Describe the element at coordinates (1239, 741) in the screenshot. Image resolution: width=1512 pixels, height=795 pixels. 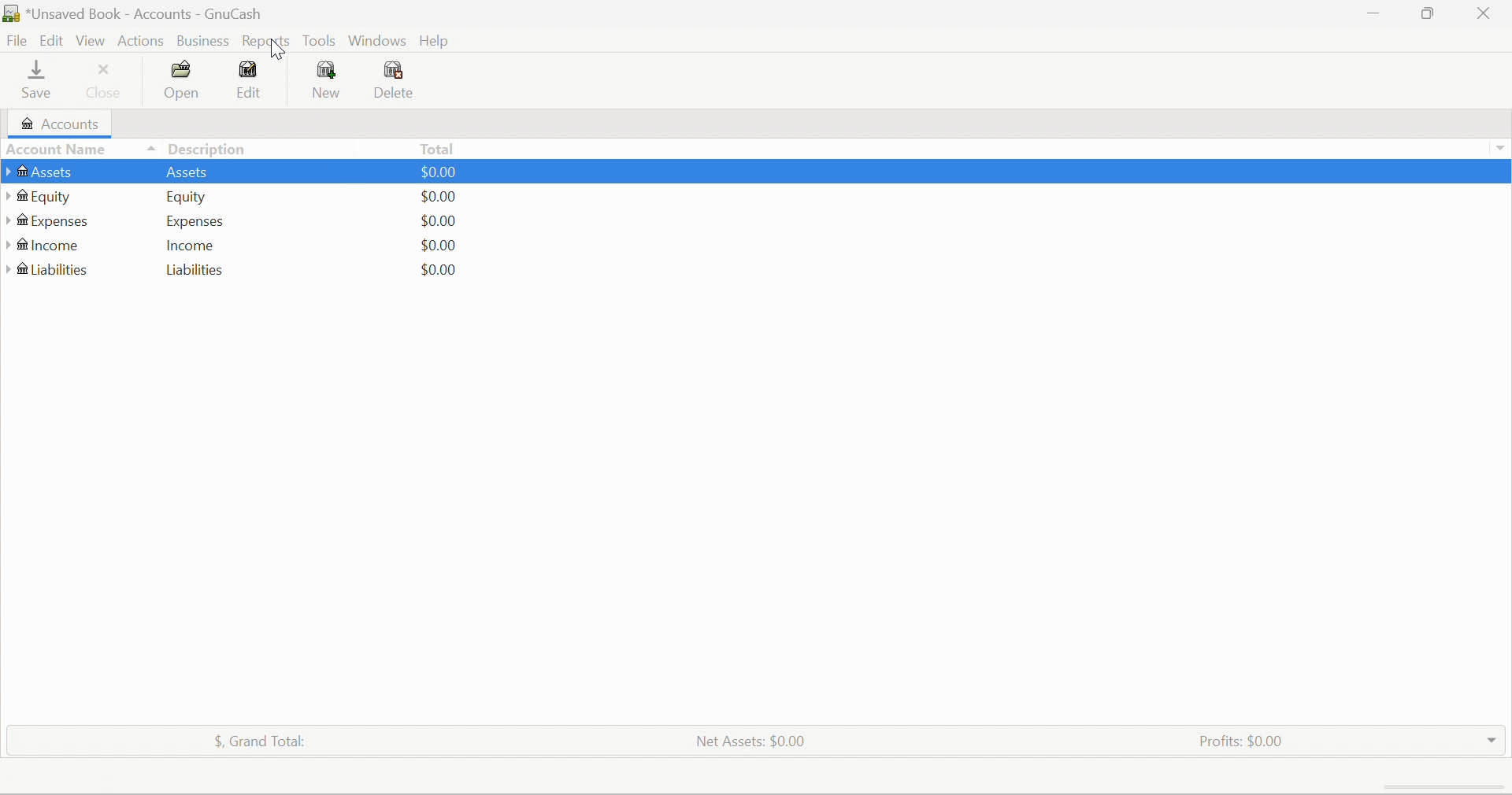
I see `Profits: $0.00` at that location.